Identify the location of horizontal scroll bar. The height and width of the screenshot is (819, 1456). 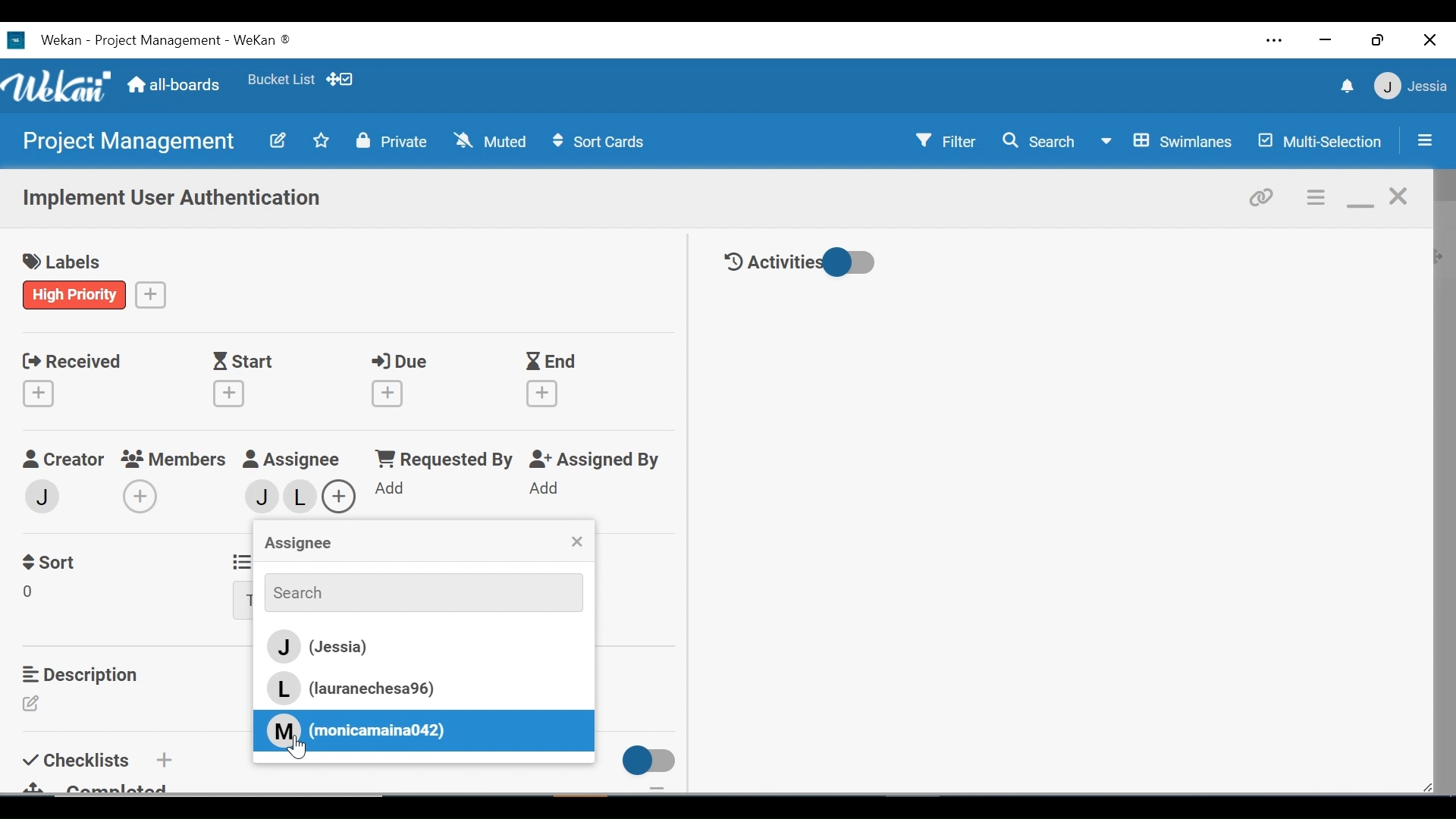
(264, 804).